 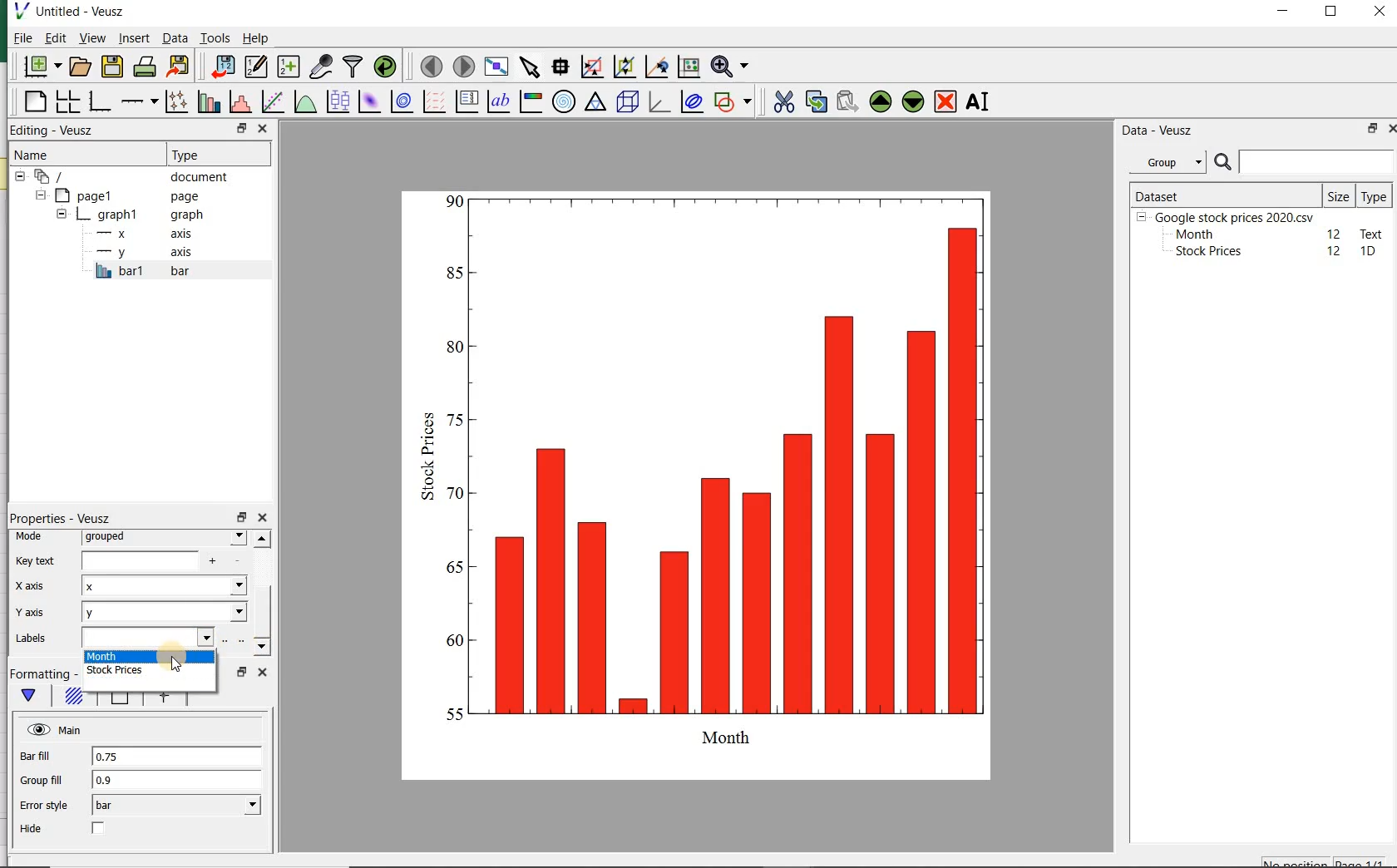 I want to click on Main, so click(x=56, y=729).